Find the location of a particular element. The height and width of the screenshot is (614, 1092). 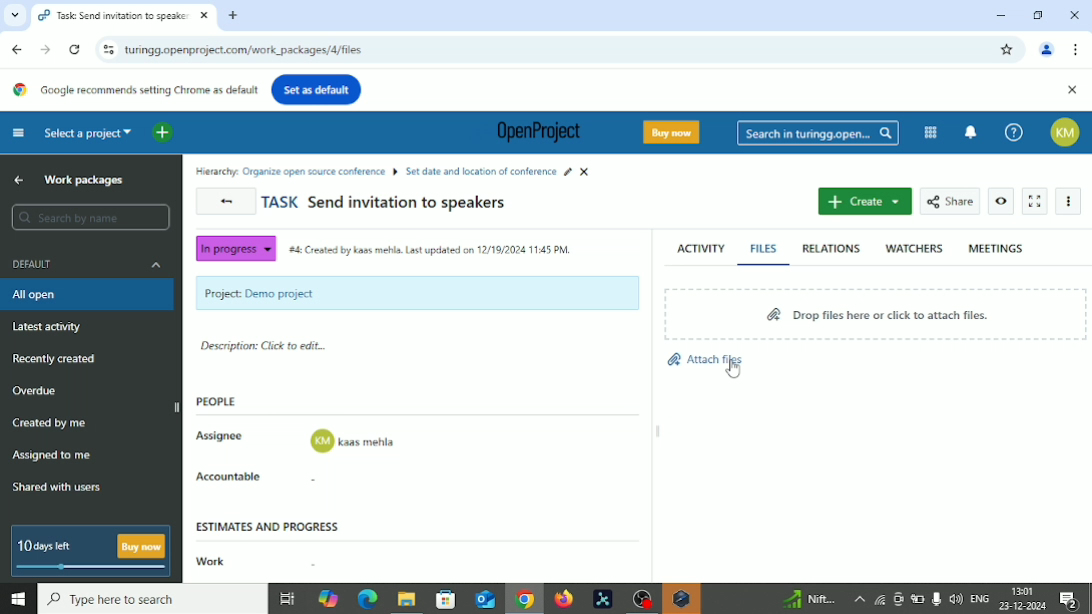

Task is located at coordinates (385, 204).